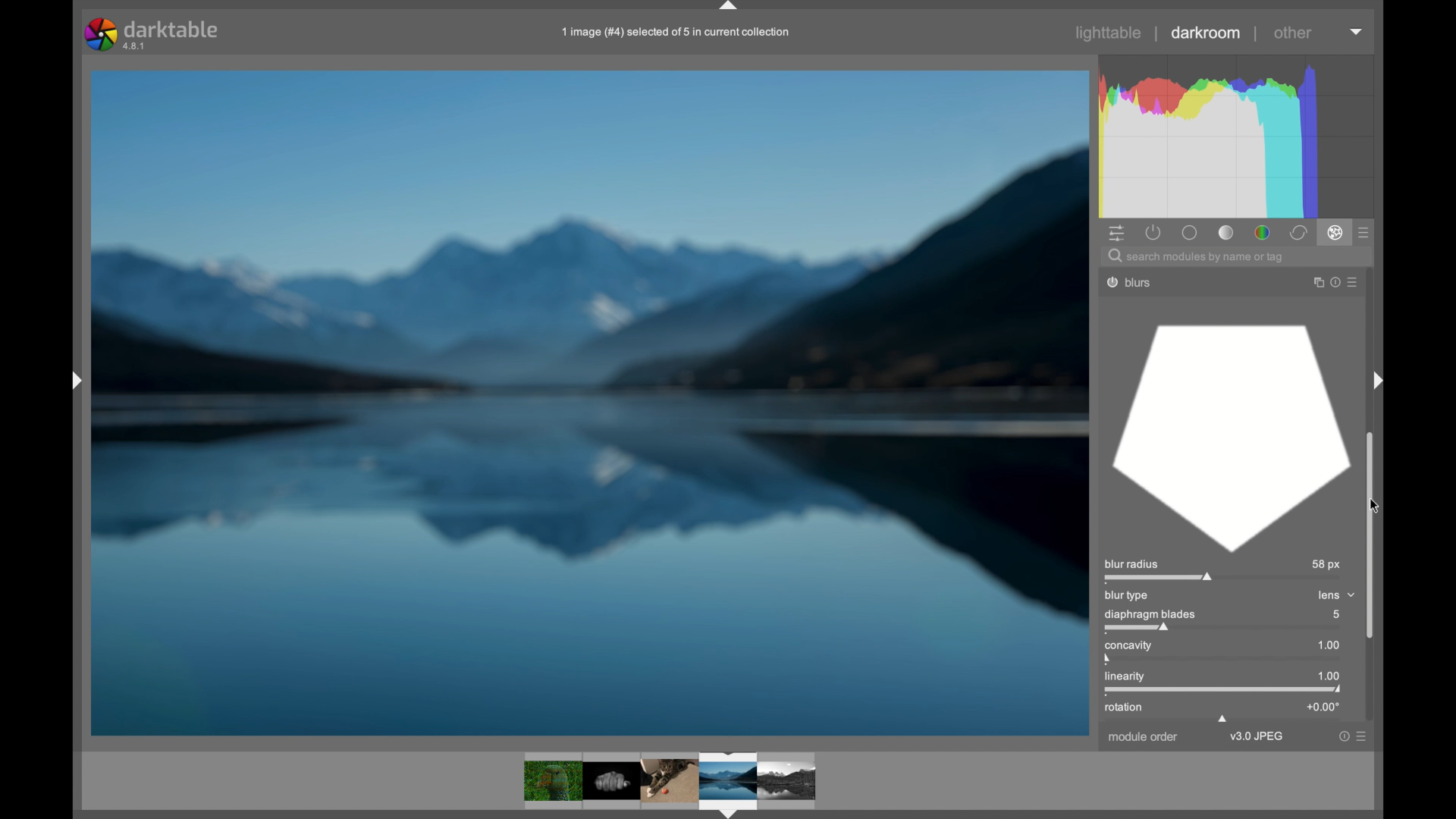 This screenshot has height=819, width=1456. I want to click on blur diaphragm blades, so click(1230, 437).